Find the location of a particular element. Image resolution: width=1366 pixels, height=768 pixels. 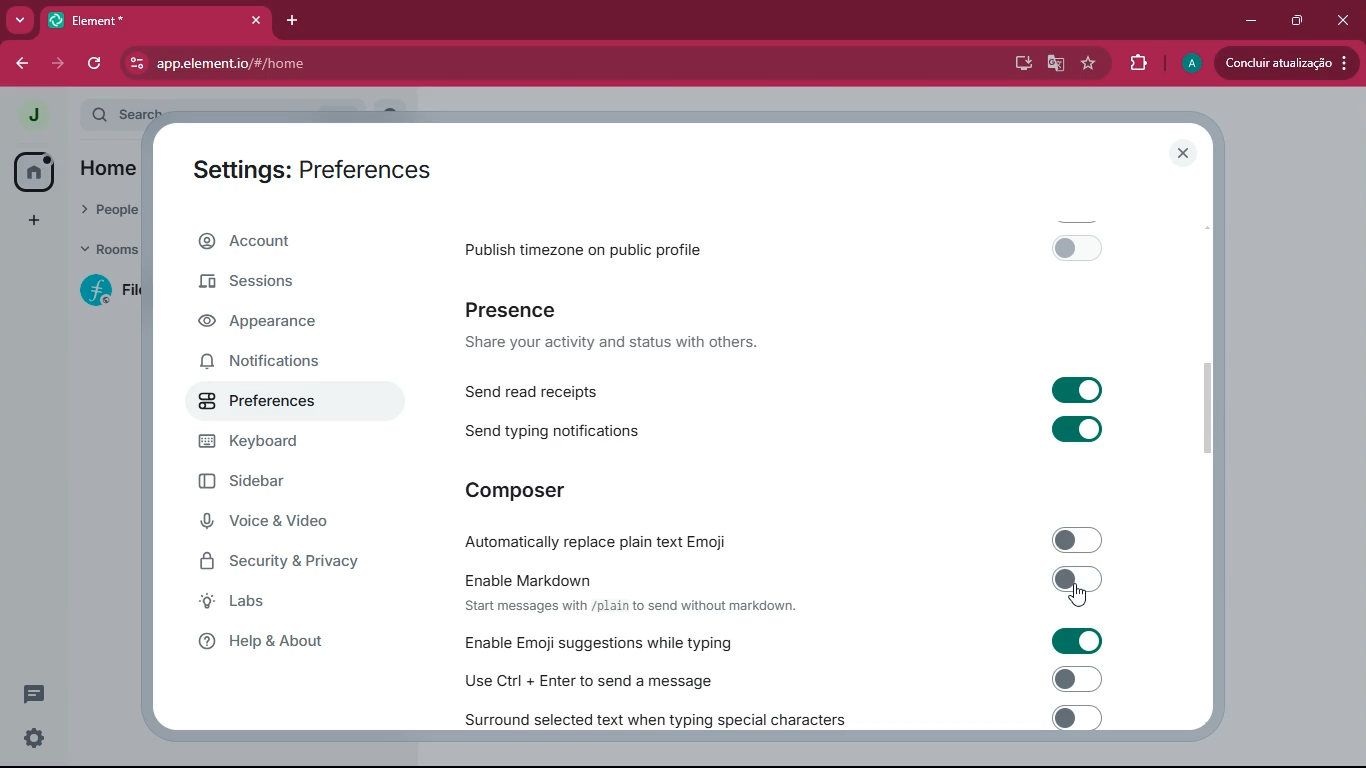

comments is located at coordinates (30, 694).